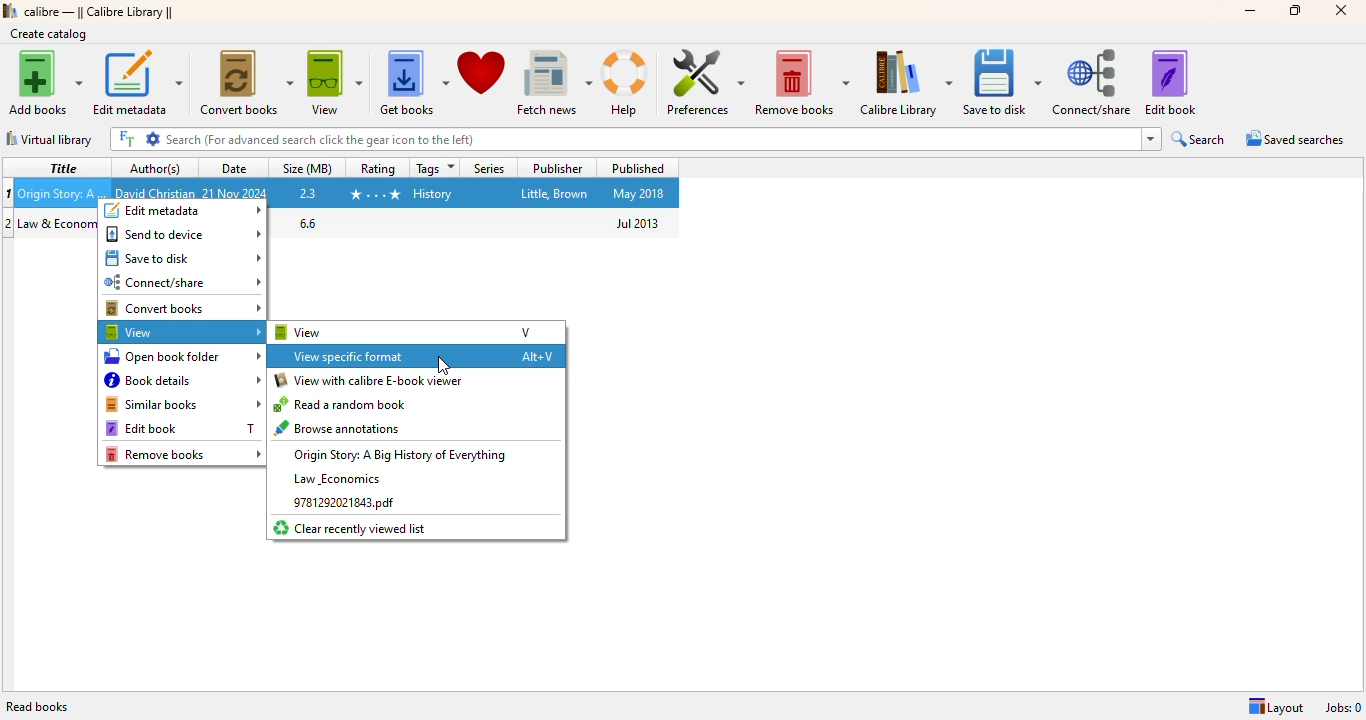 The height and width of the screenshot is (720, 1366). Describe the element at coordinates (1275, 708) in the screenshot. I see `layout` at that location.